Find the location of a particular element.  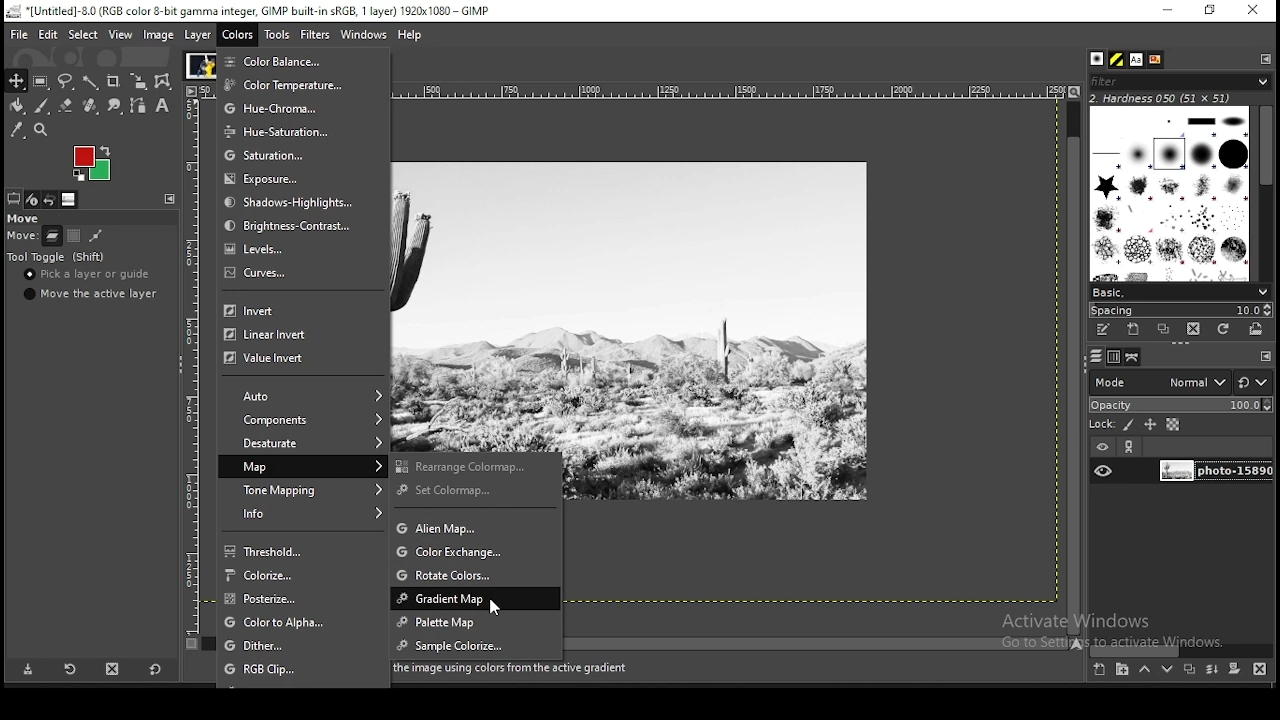

invert is located at coordinates (295, 311).